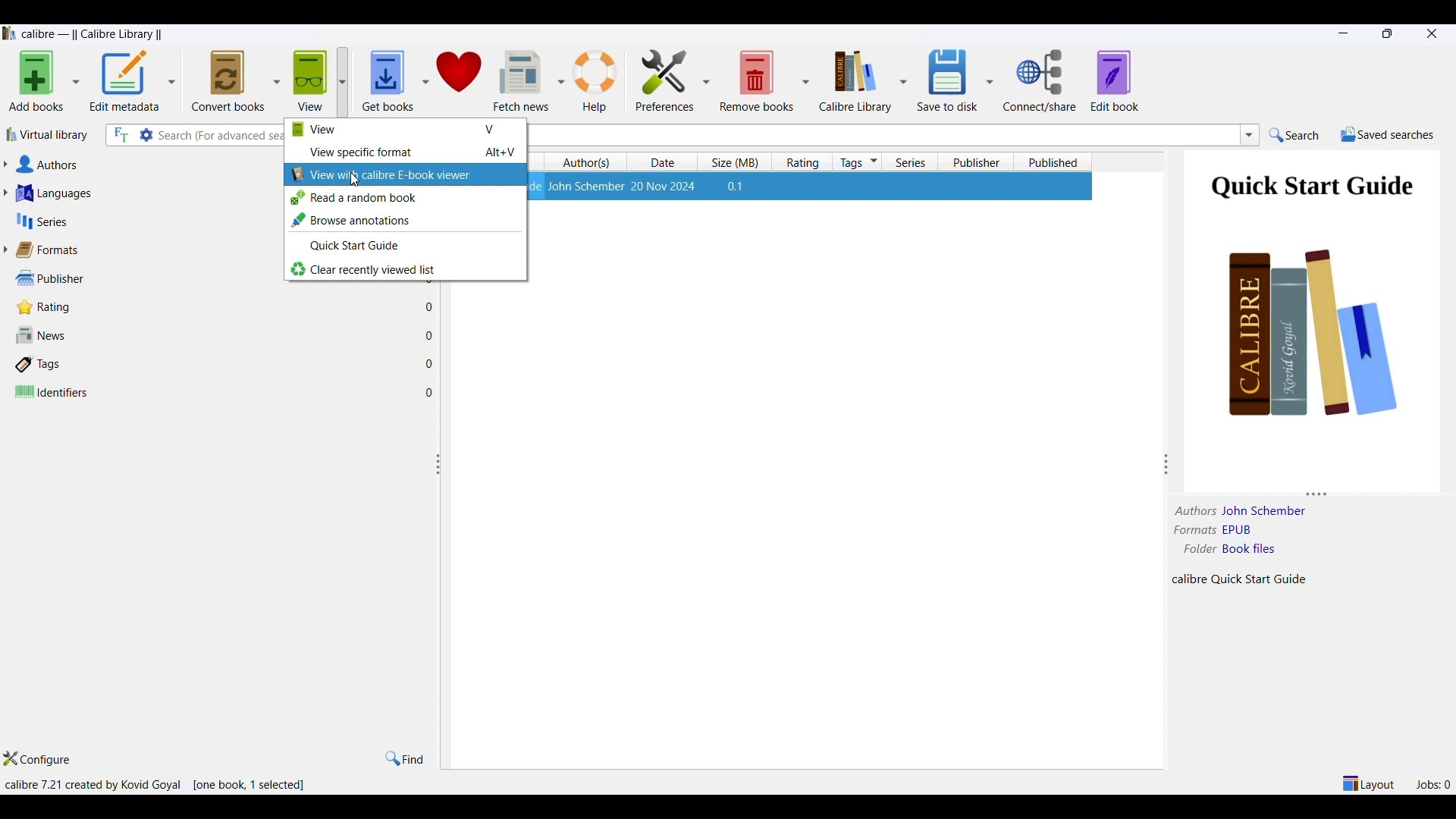  Describe the element at coordinates (406, 174) in the screenshot. I see `view with calibre E-book viewer` at that location.